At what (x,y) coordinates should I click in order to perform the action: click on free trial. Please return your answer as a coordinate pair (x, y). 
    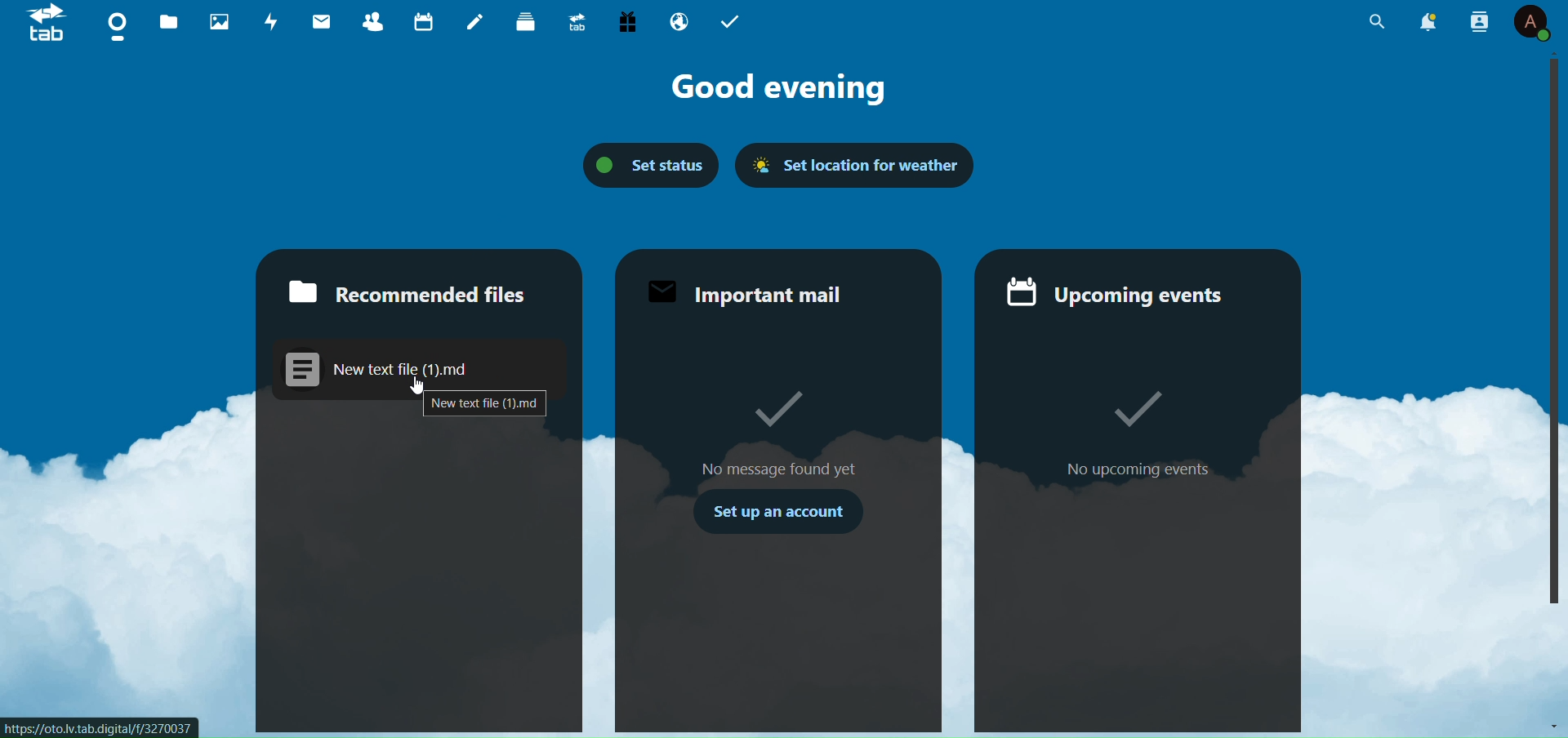
    Looking at the image, I should click on (627, 21).